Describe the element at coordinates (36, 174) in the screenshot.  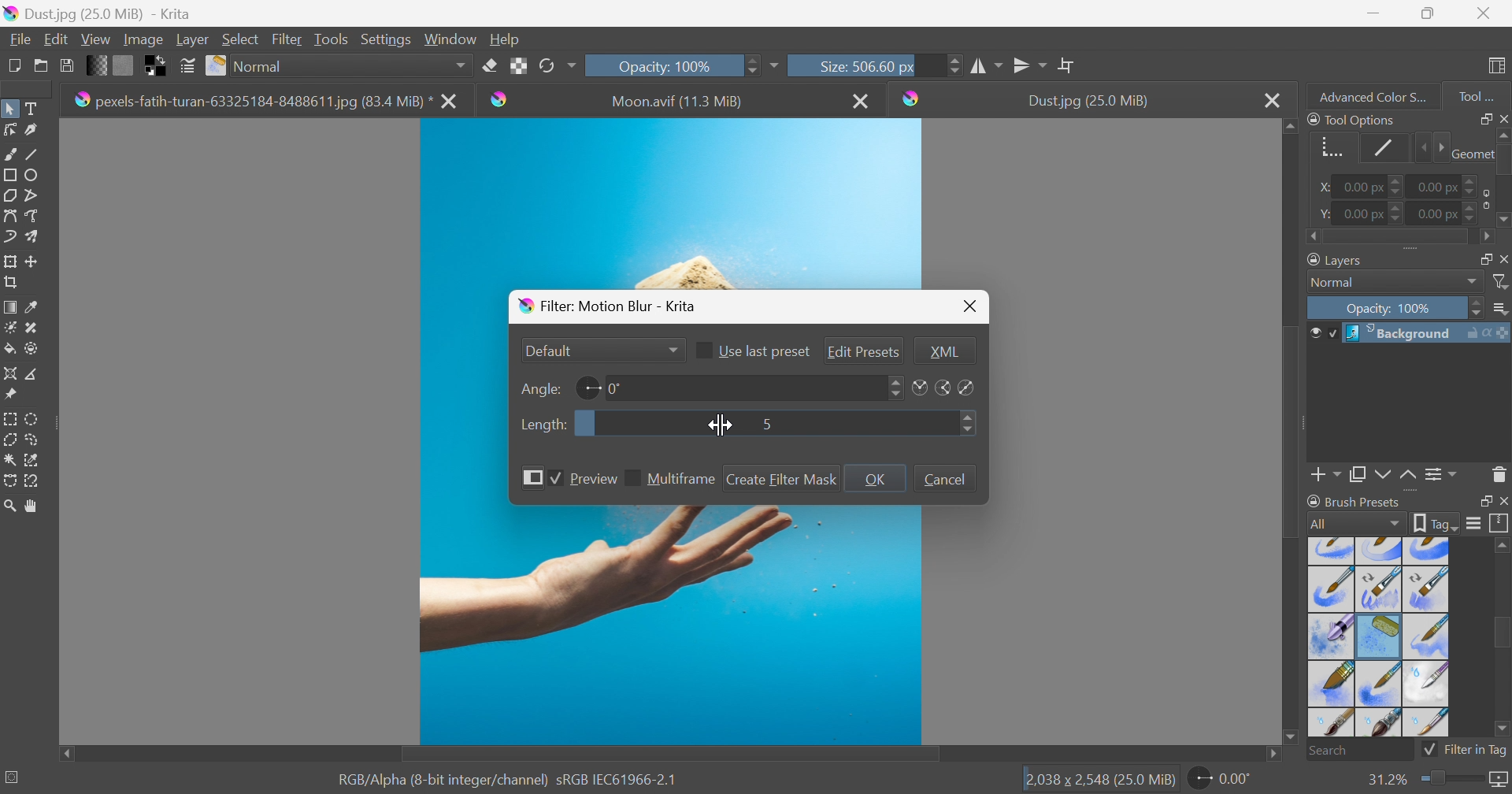
I see `Ellipse tool` at that location.